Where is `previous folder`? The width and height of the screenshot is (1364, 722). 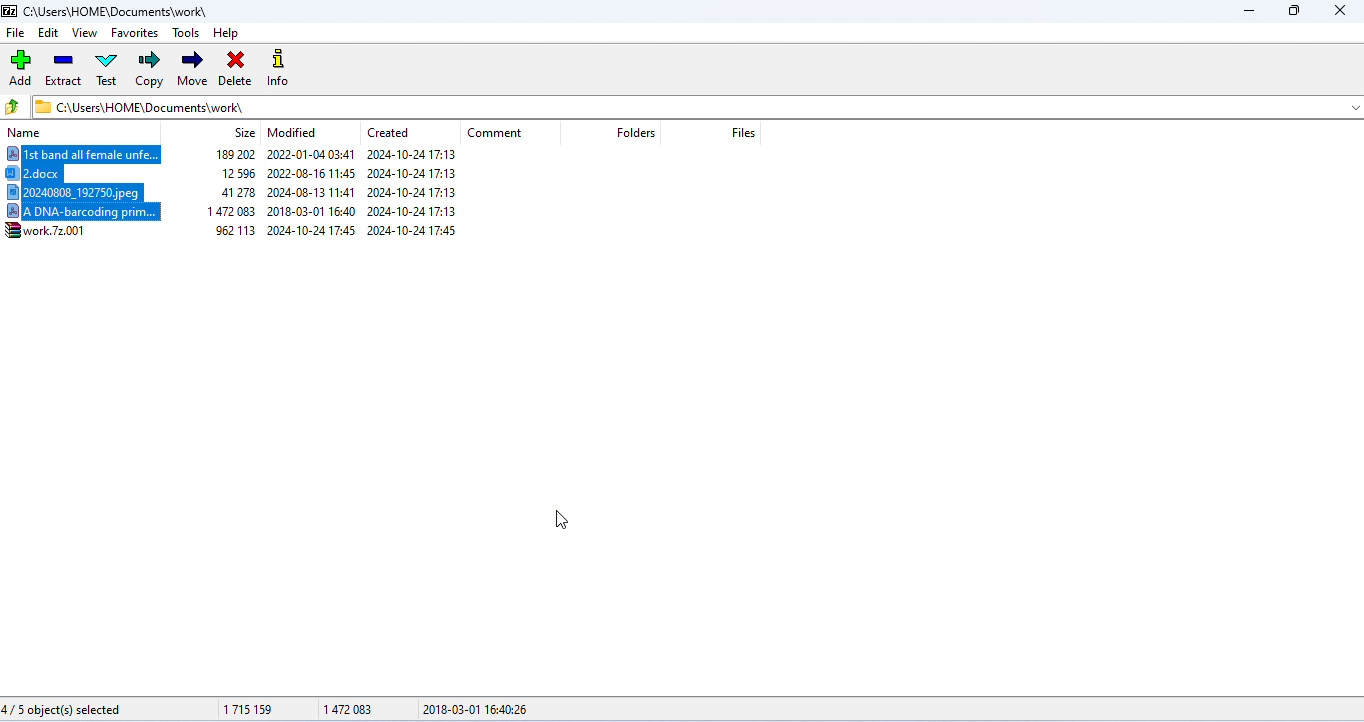
previous folder is located at coordinates (14, 106).